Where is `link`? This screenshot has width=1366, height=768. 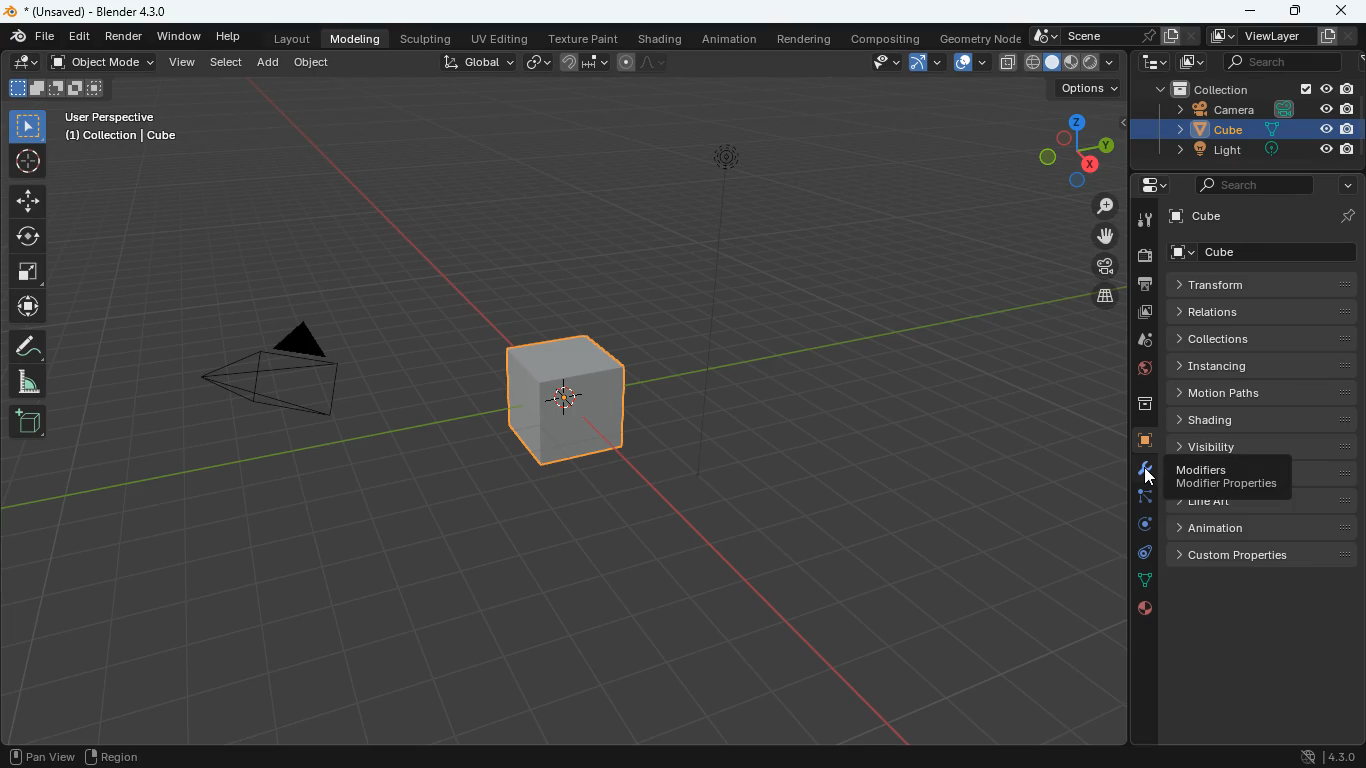 link is located at coordinates (540, 63).